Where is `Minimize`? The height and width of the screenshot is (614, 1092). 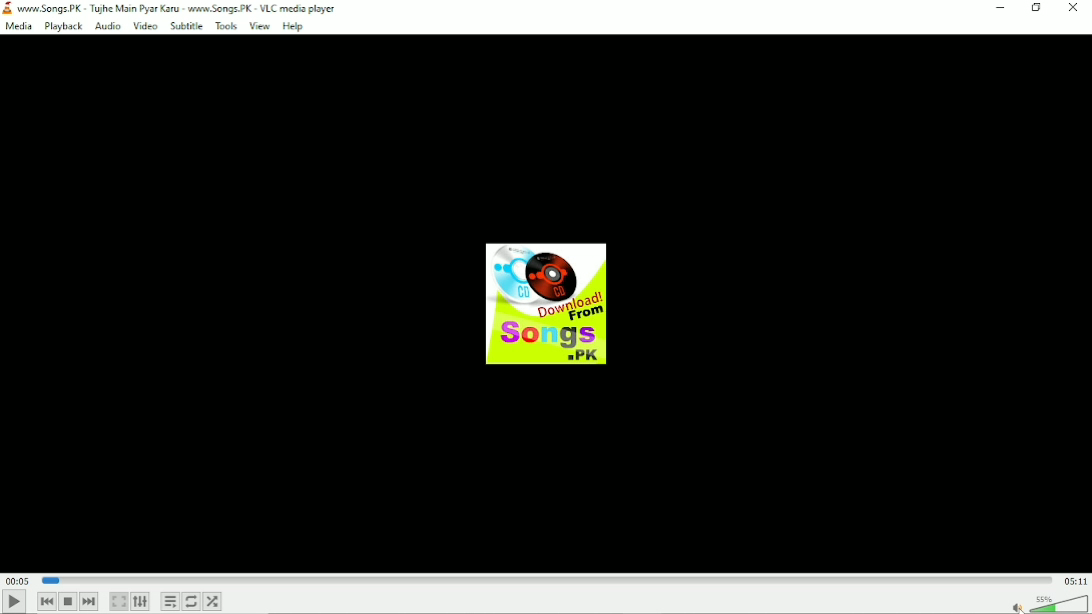
Minimize is located at coordinates (1001, 8).